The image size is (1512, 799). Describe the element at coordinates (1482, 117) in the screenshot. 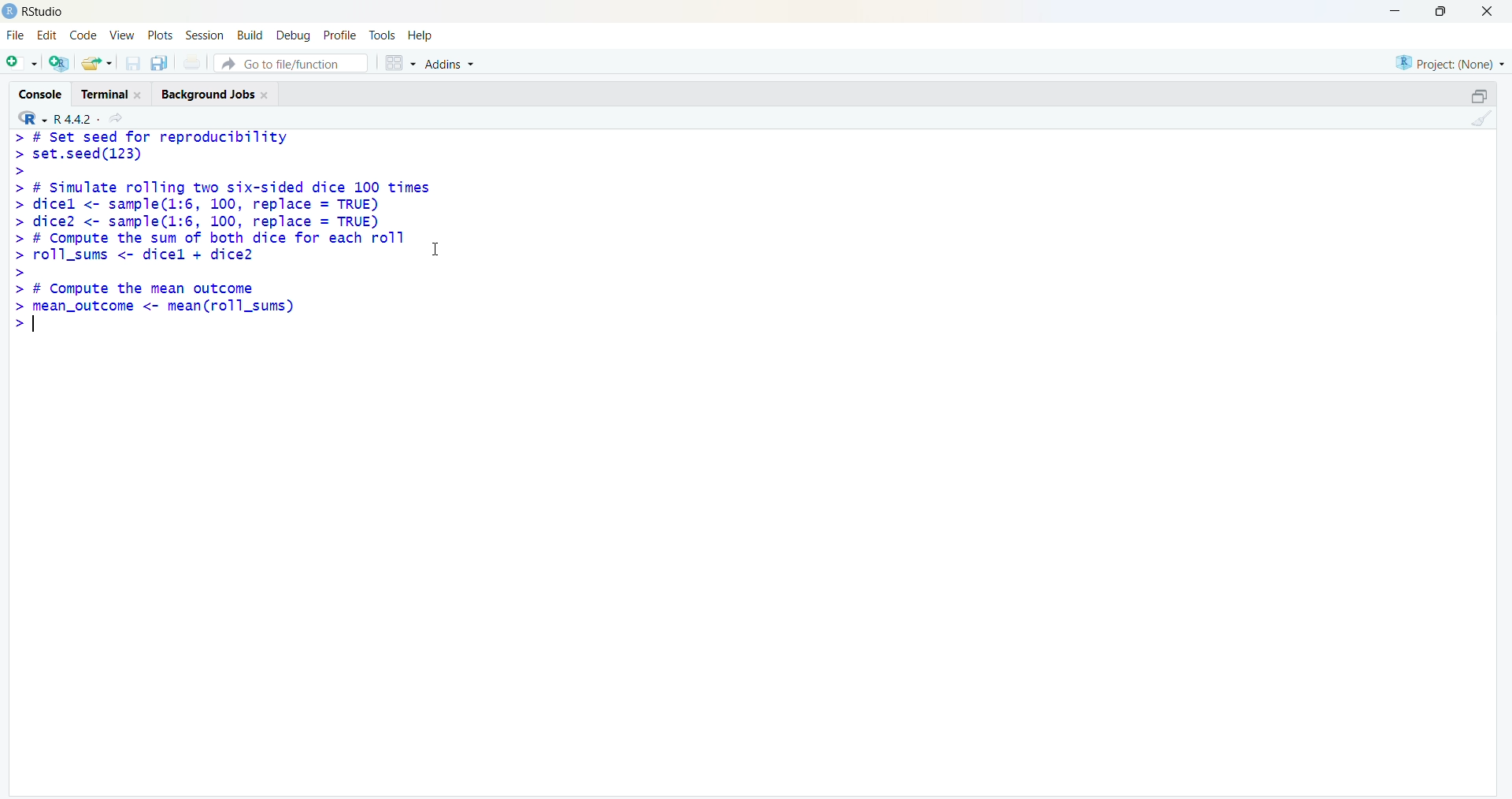

I see `clean` at that location.